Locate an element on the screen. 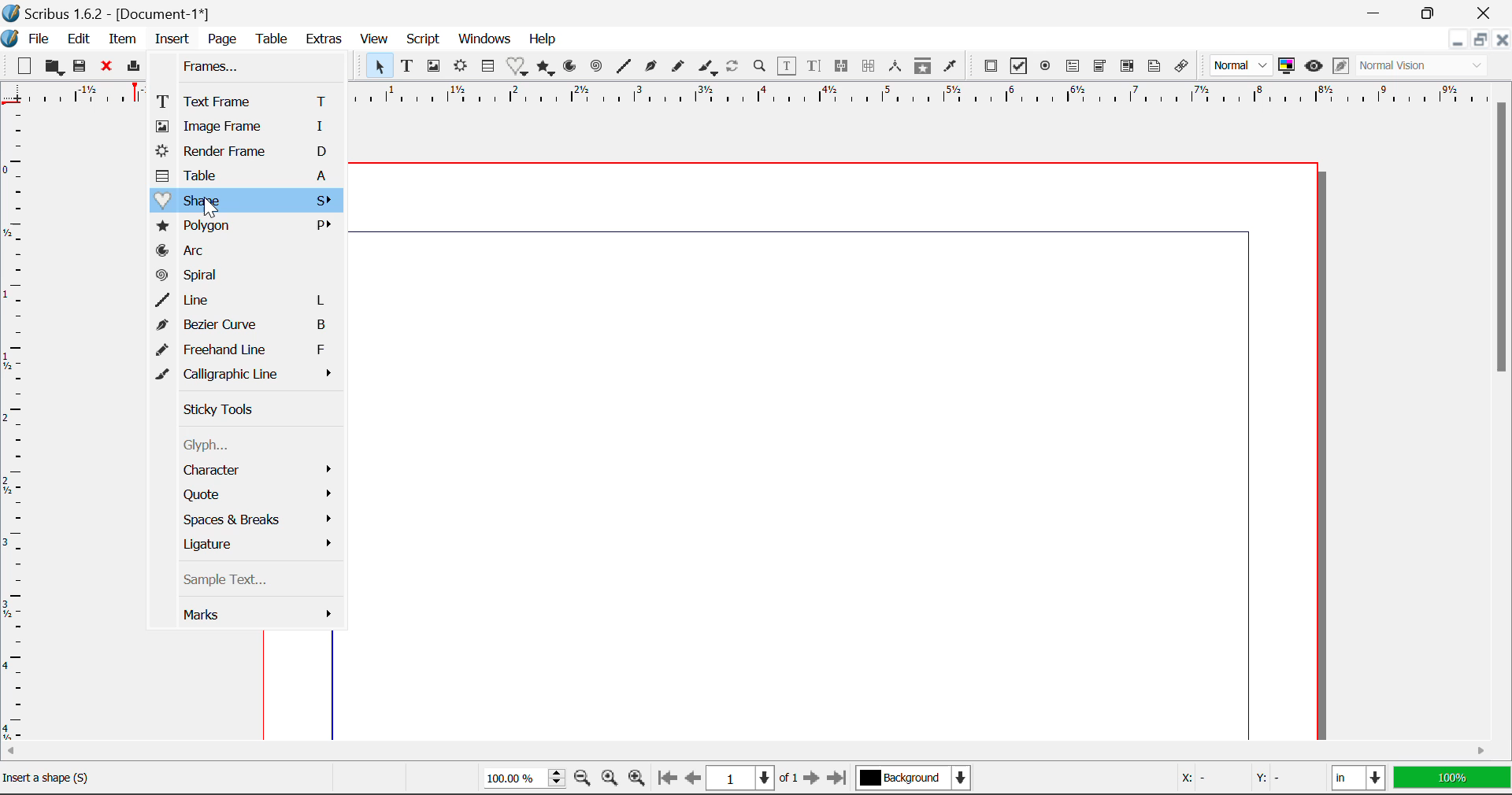 This screenshot has width=1512, height=795. Insert a shape (S) is located at coordinates (153, 778).